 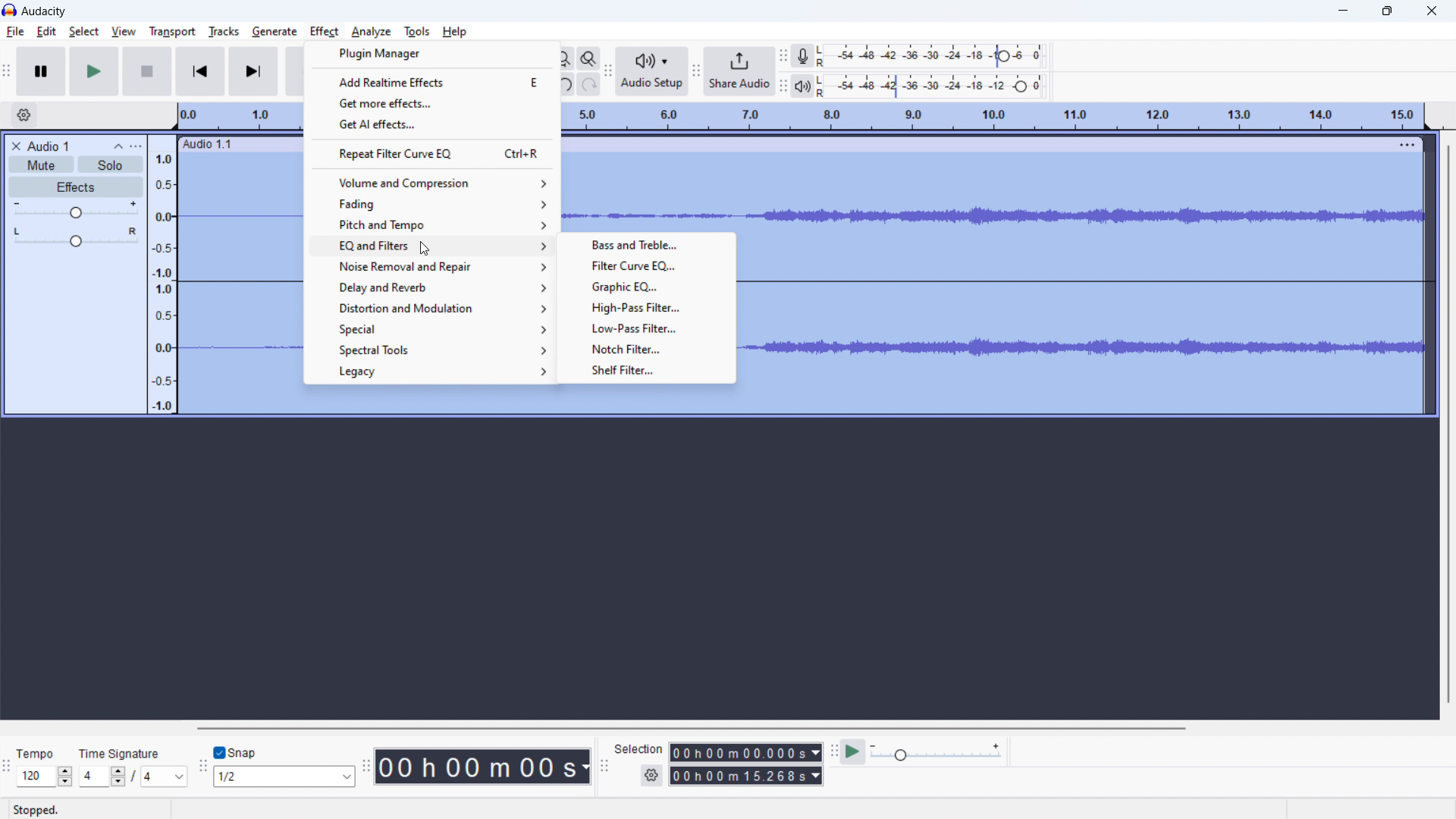 What do you see at coordinates (45, 11) in the screenshot?
I see `Audacity` at bounding box center [45, 11].